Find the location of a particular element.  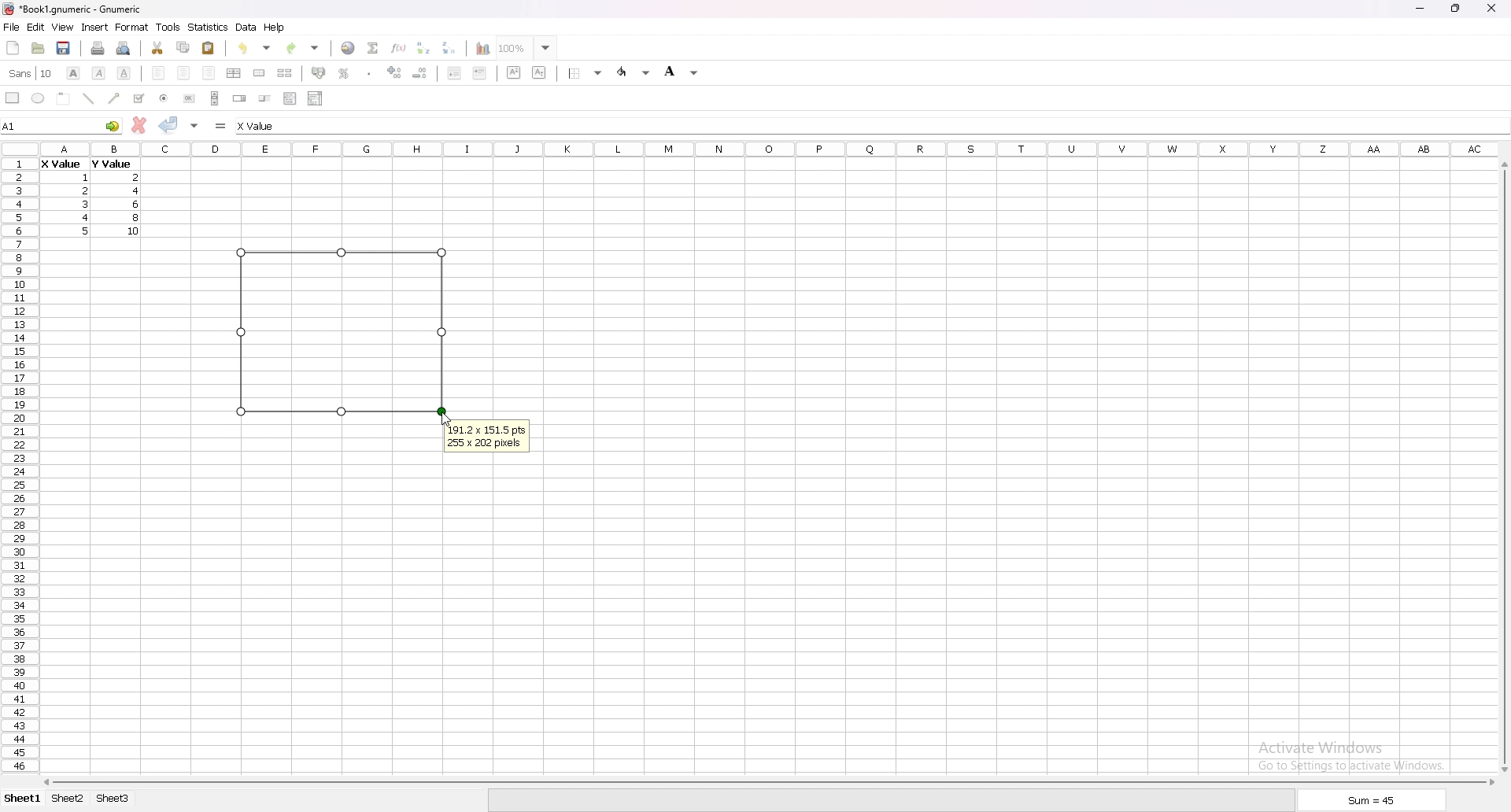

merge cells is located at coordinates (259, 73).